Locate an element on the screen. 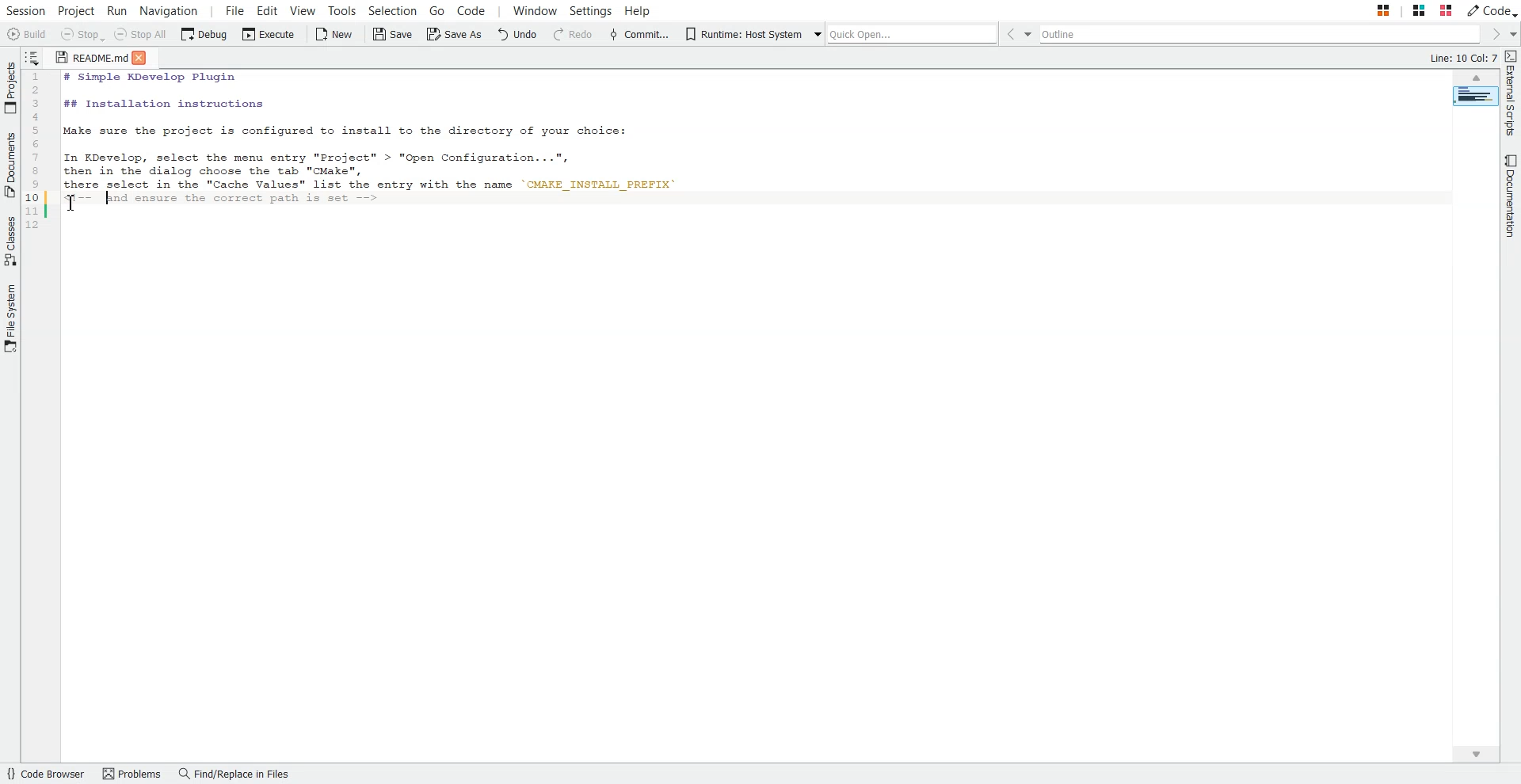 Image resolution: width=1521 pixels, height=784 pixels. <-- (commenting the text) is located at coordinates (78, 200).